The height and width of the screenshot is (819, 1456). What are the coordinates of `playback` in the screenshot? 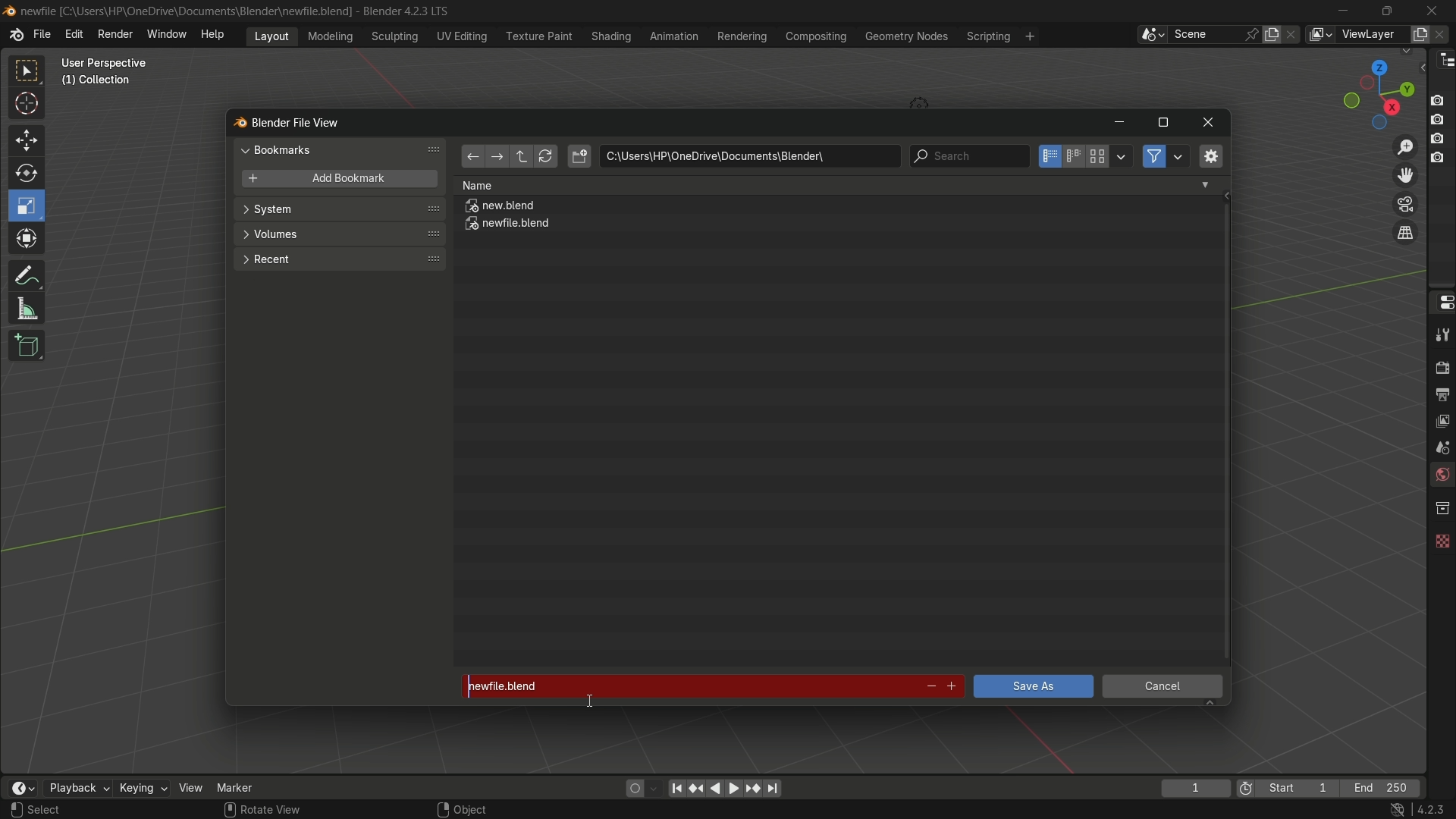 It's located at (77, 788).